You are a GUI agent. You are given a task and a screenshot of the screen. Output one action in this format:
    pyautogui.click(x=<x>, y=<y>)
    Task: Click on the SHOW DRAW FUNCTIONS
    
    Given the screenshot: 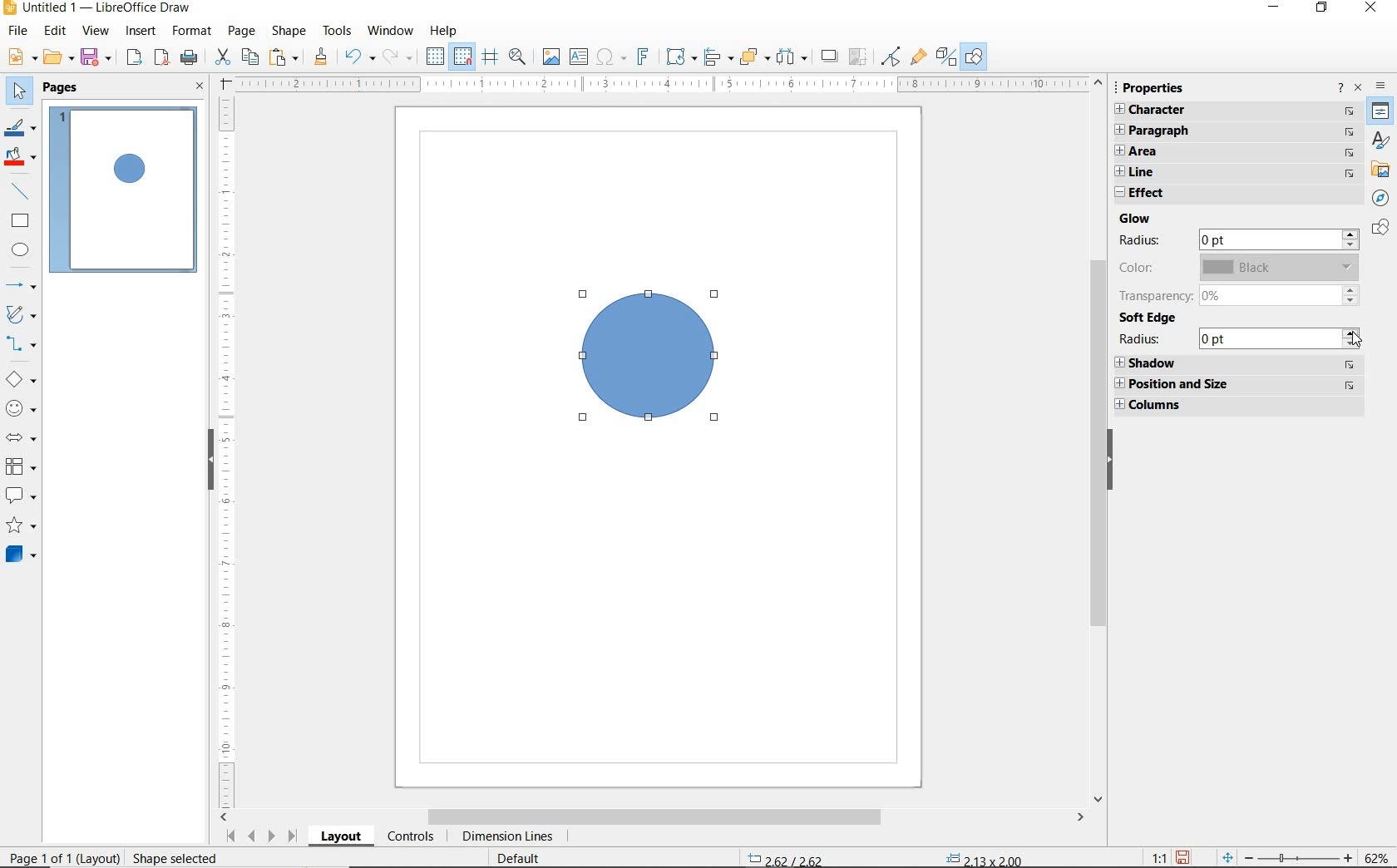 What is the action you would take?
    pyautogui.click(x=975, y=57)
    